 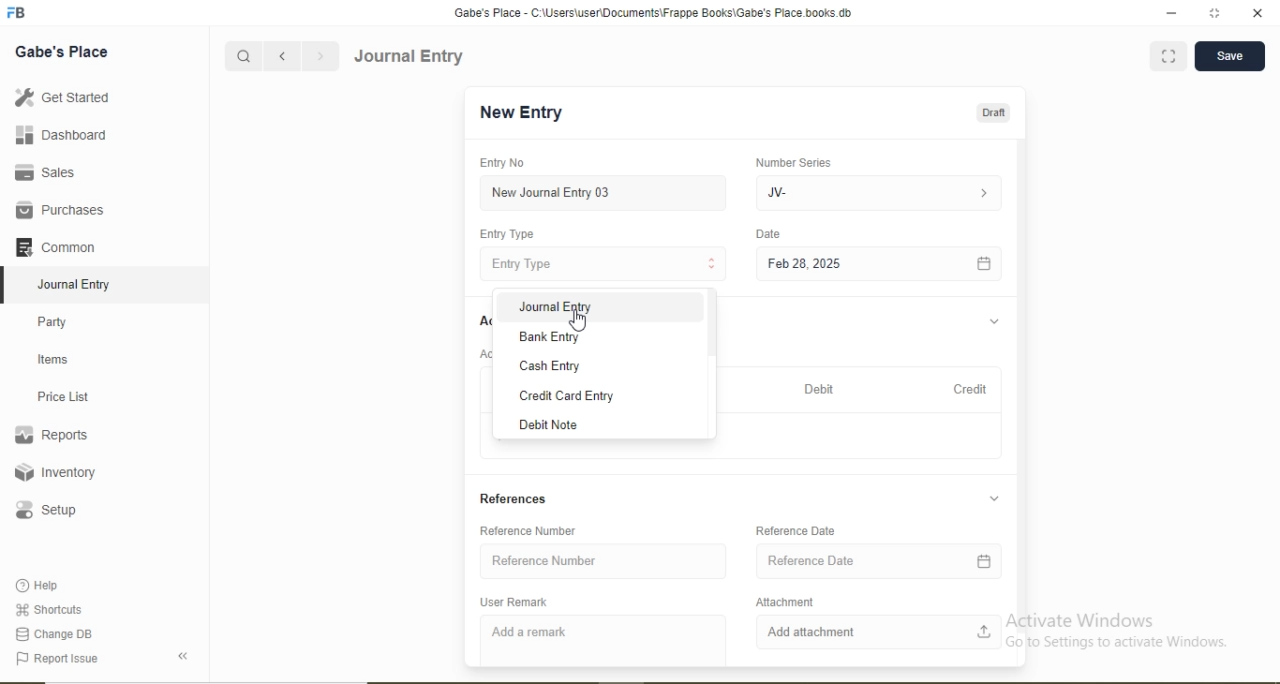 What do you see at coordinates (983, 562) in the screenshot?
I see `Calendar` at bounding box center [983, 562].